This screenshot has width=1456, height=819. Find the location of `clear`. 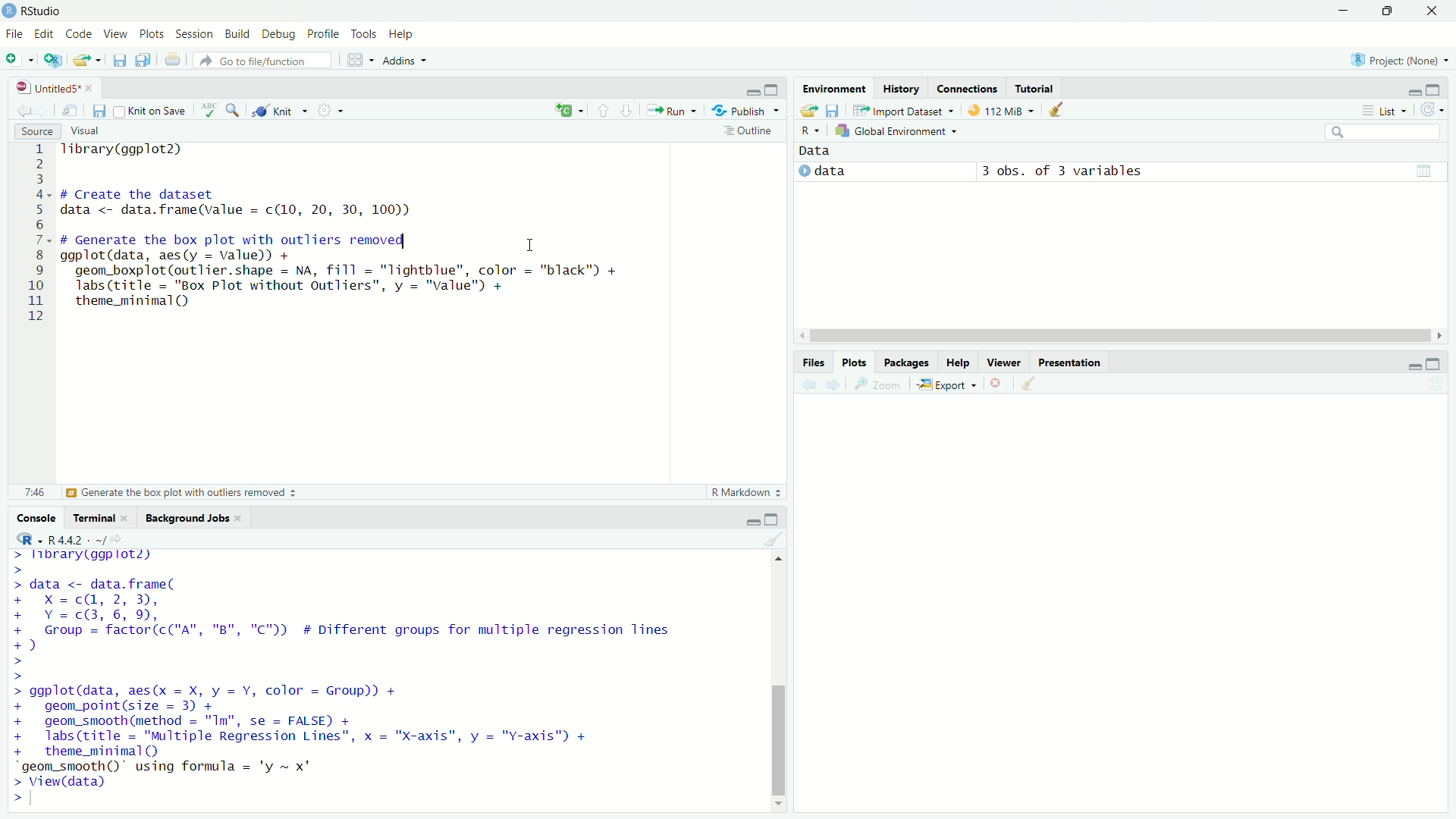

clear is located at coordinates (1053, 111).